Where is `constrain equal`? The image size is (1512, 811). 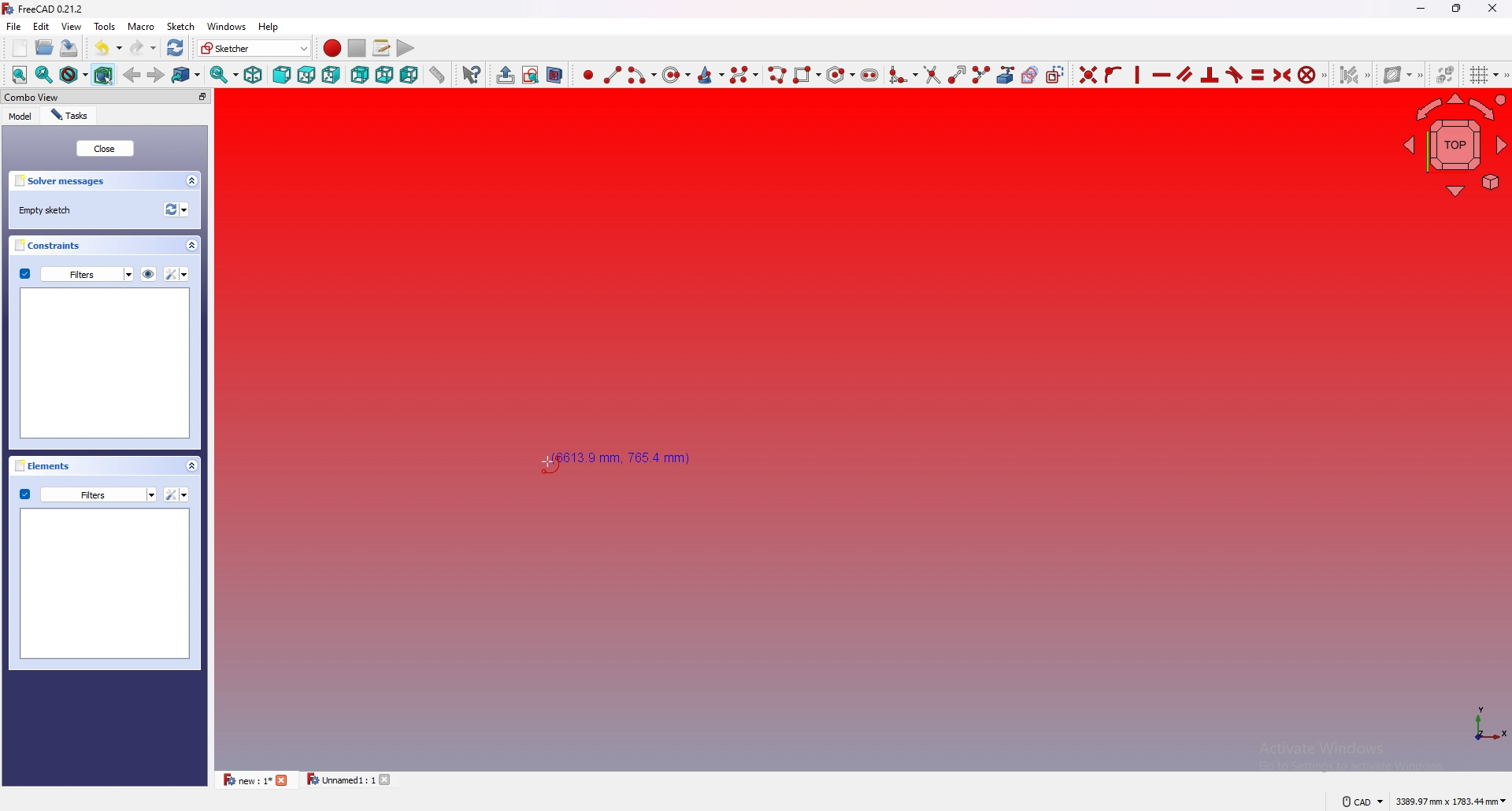
constrain equal is located at coordinates (1258, 74).